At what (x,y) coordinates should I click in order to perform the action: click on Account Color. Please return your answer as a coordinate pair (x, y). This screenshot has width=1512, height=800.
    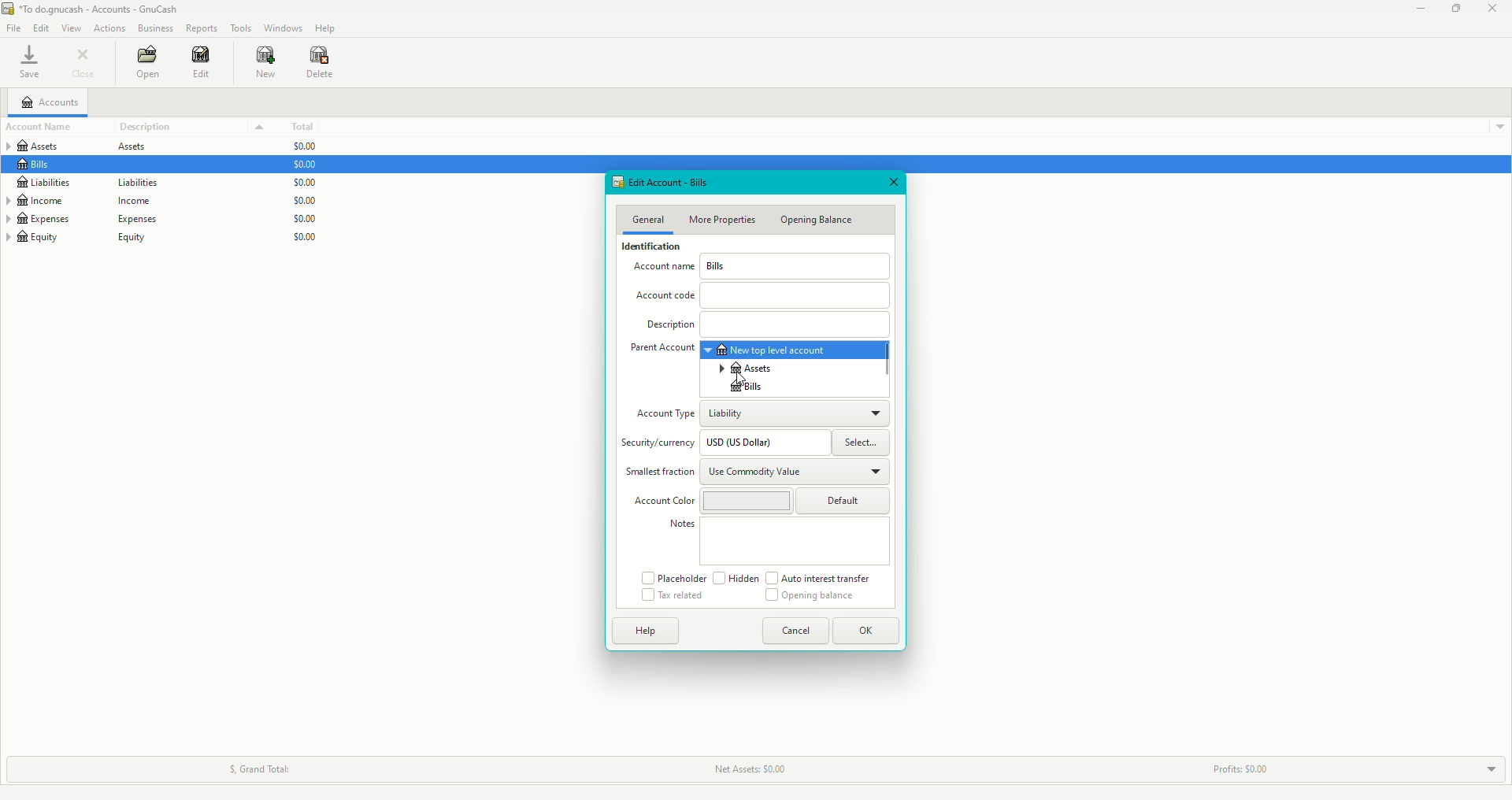
    Looking at the image, I should click on (661, 501).